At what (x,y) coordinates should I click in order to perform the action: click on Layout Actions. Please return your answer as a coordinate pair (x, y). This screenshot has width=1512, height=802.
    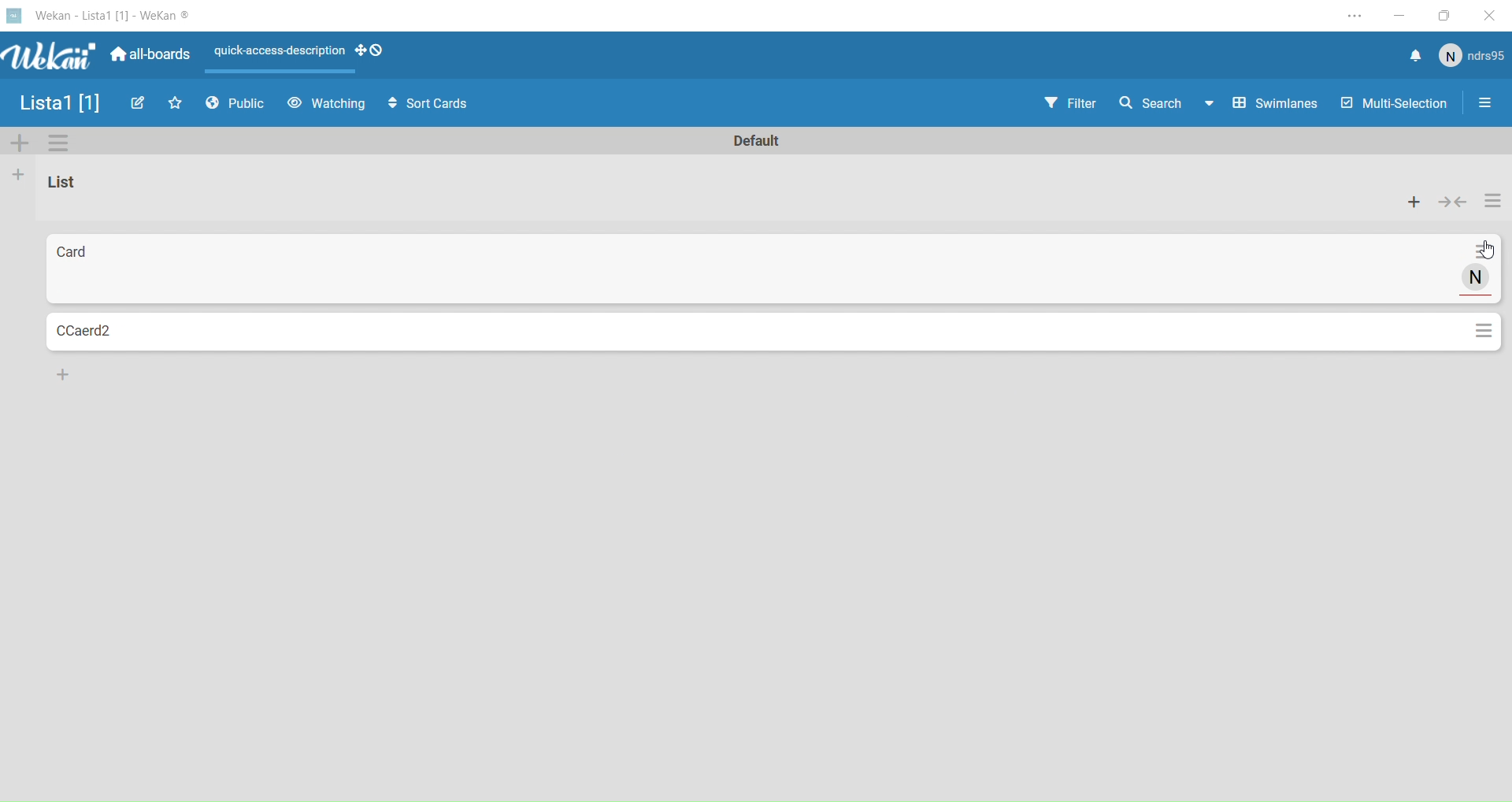
    Looking at the image, I should click on (274, 54).